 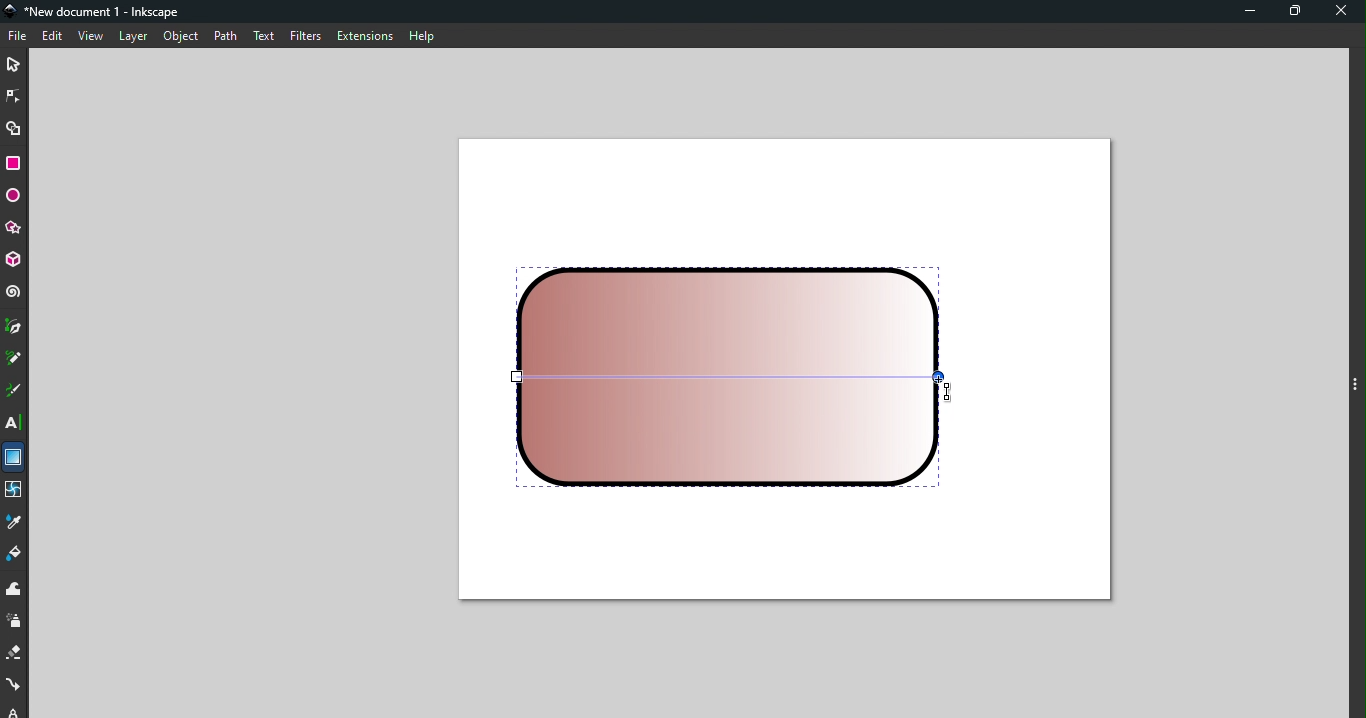 I want to click on Filters, so click(x=304, y=35).